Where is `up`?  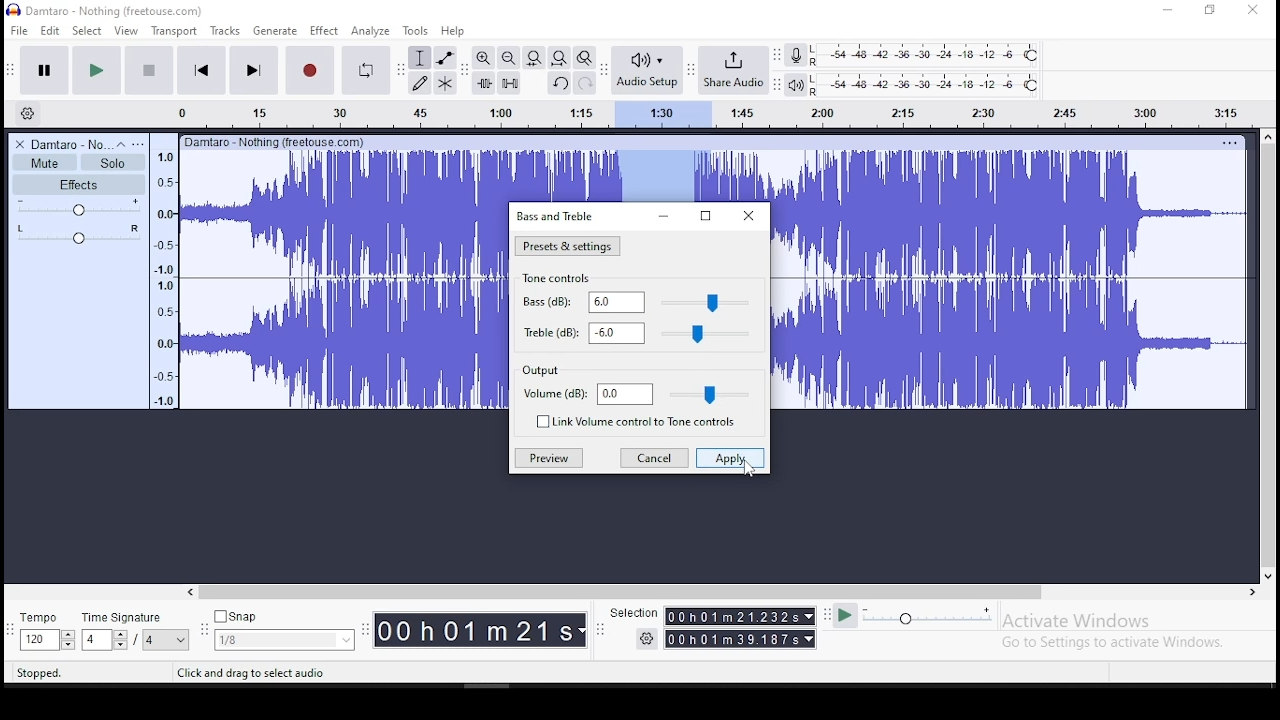
up is located at coordinates (1267, 136).